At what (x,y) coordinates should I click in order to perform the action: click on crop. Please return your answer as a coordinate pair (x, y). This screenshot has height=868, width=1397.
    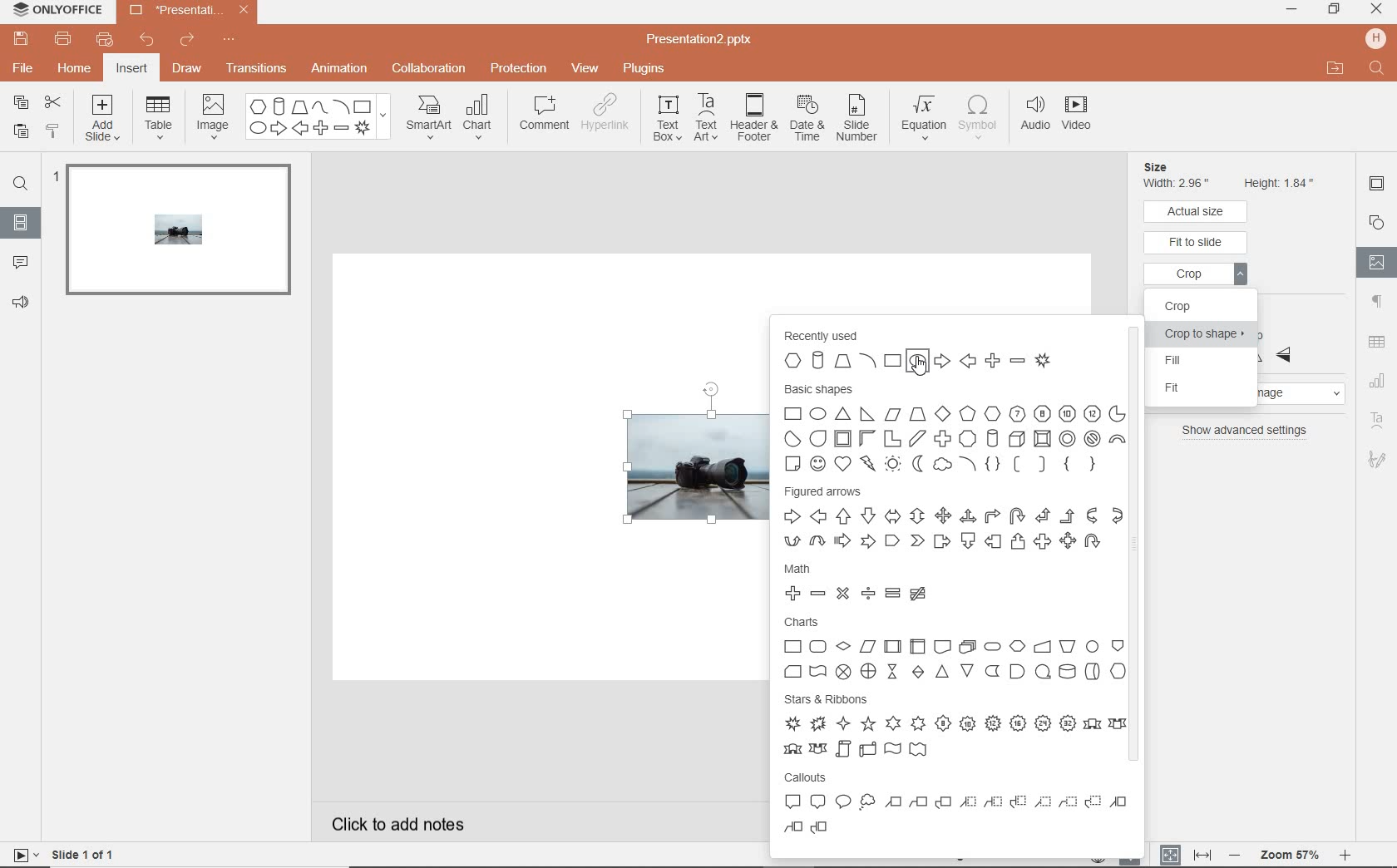
    Looking at the image, I should click on (1194, 305).